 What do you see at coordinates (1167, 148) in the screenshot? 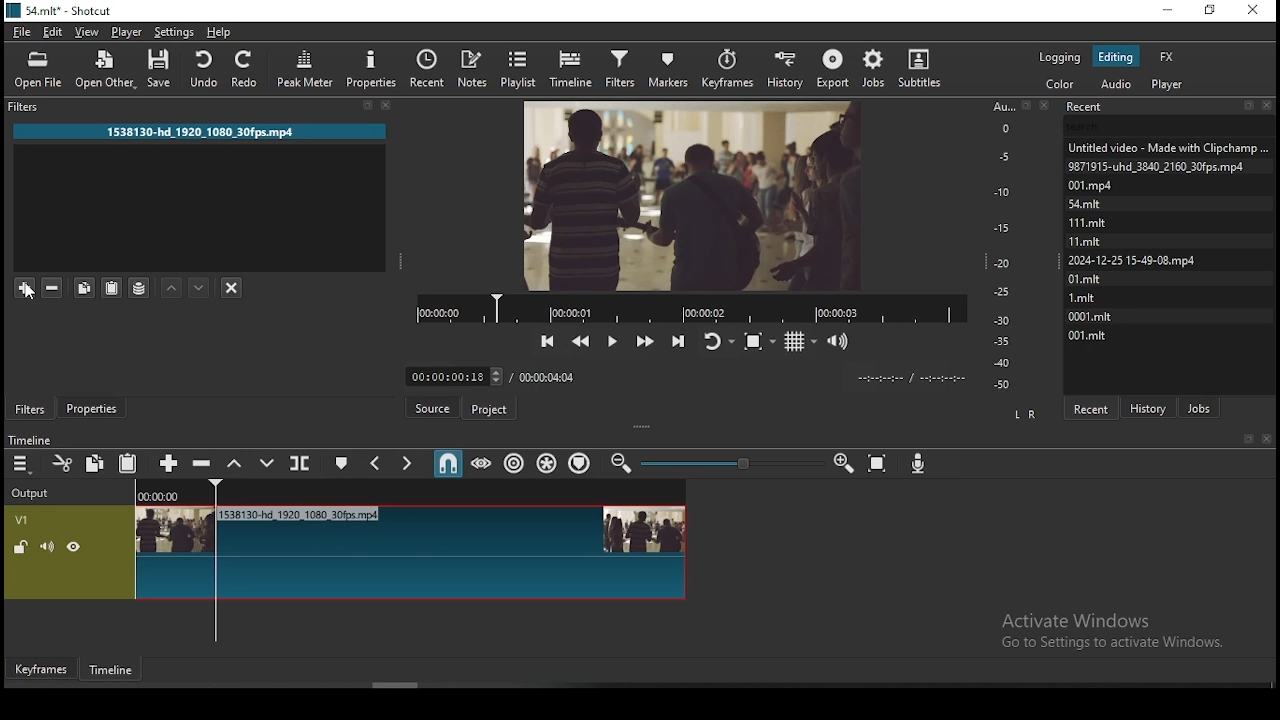
I see `Untitled video - Made with ClipChamp....` at bounding box center [1167, 148].